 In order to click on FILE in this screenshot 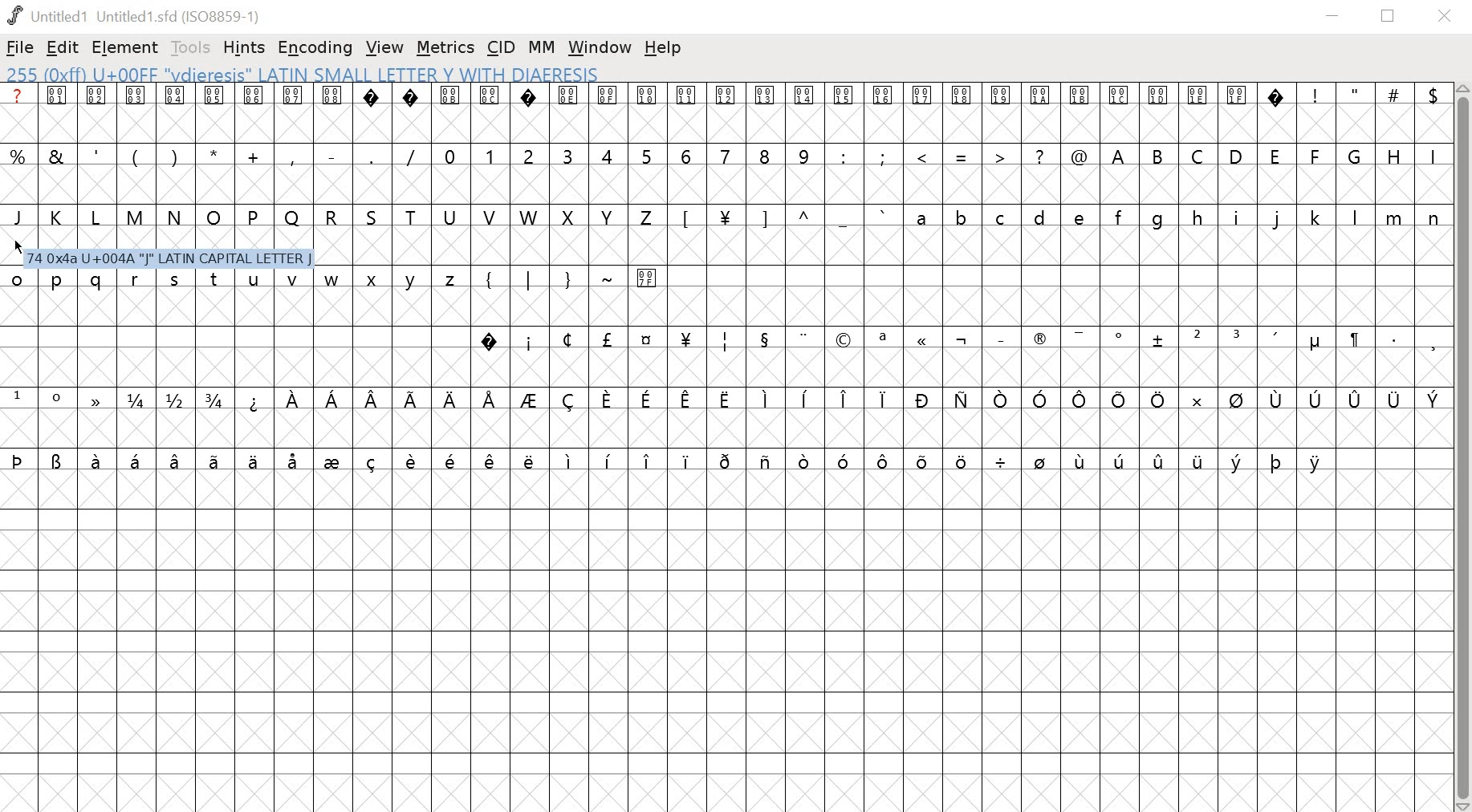, I will do `click(20, 47)`.